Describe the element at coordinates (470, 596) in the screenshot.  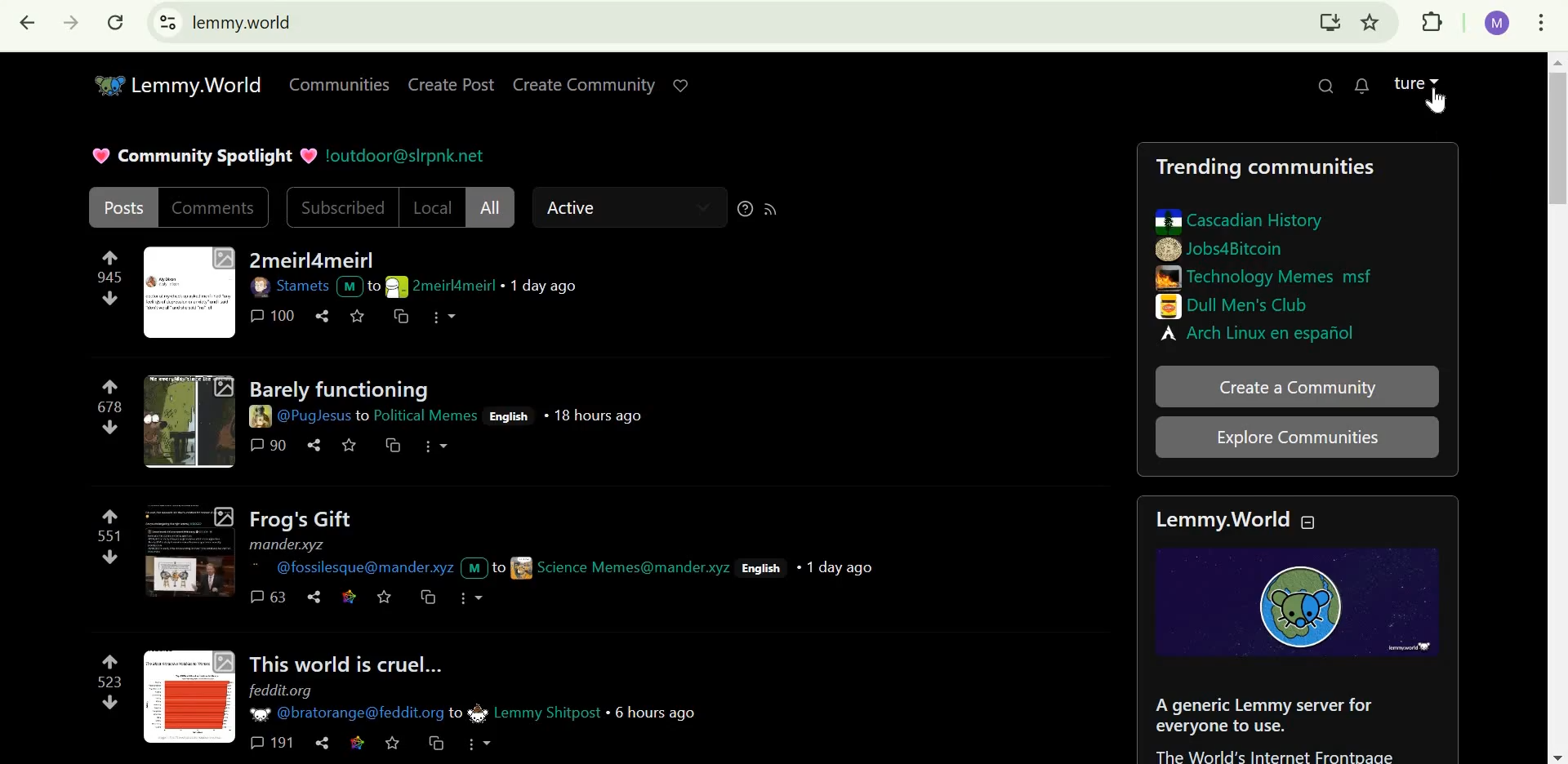
I see `more` at that location.